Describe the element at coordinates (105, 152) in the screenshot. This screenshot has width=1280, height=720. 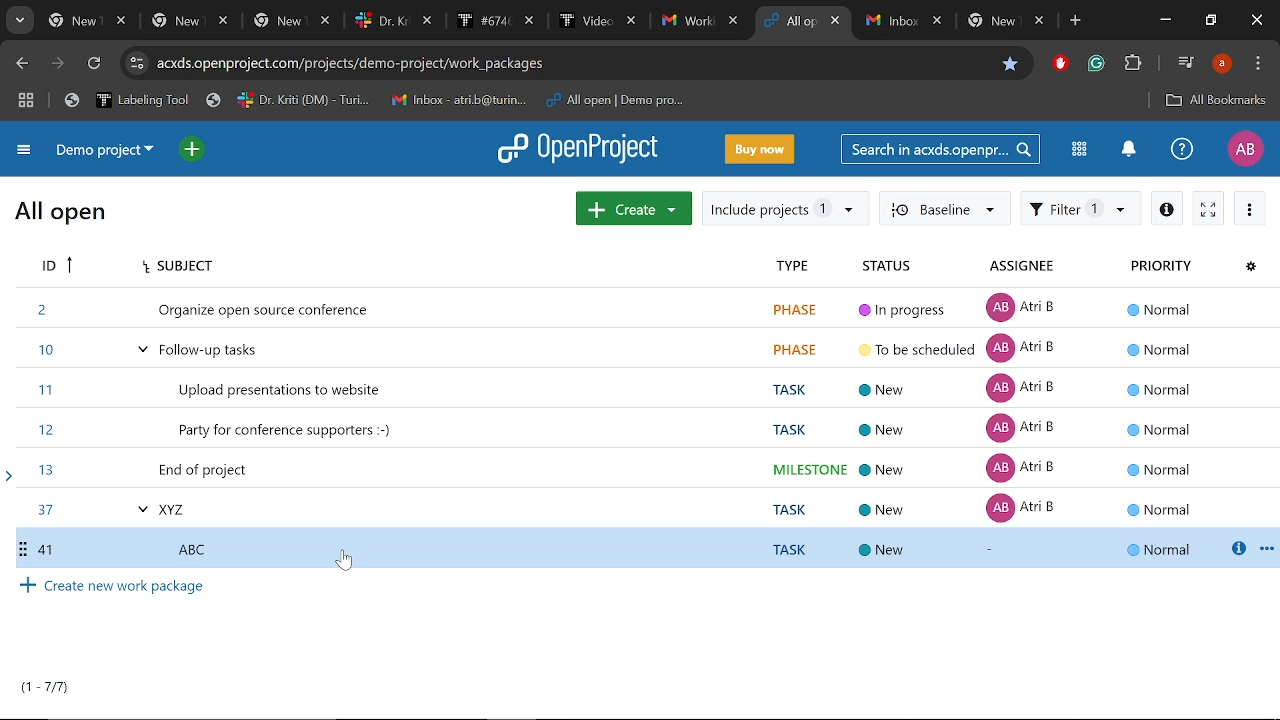
I see `Current project` at that location.